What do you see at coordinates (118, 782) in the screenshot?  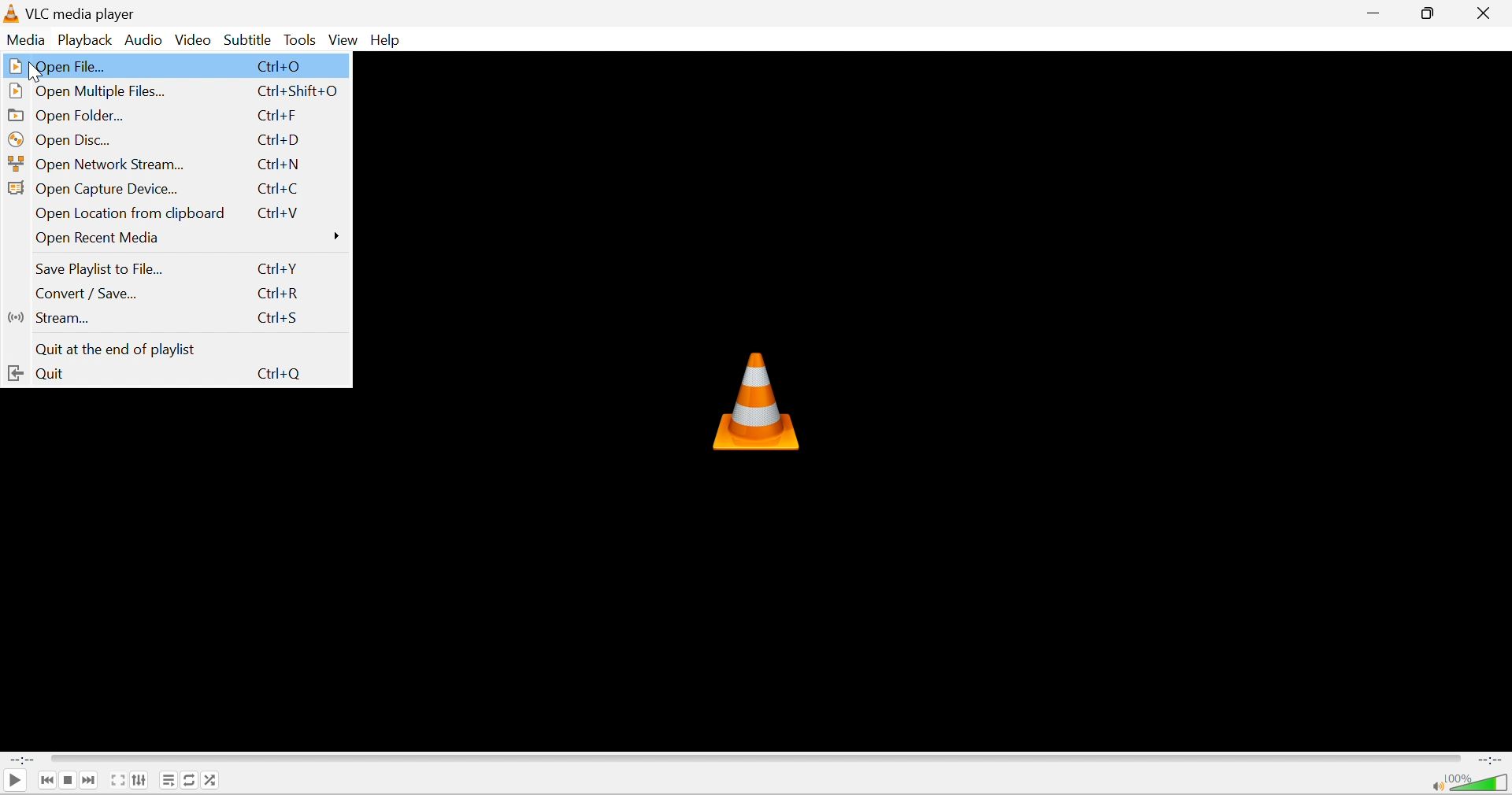 I see `Toggle the video in fullscreen` at bounding box center [118, 782].